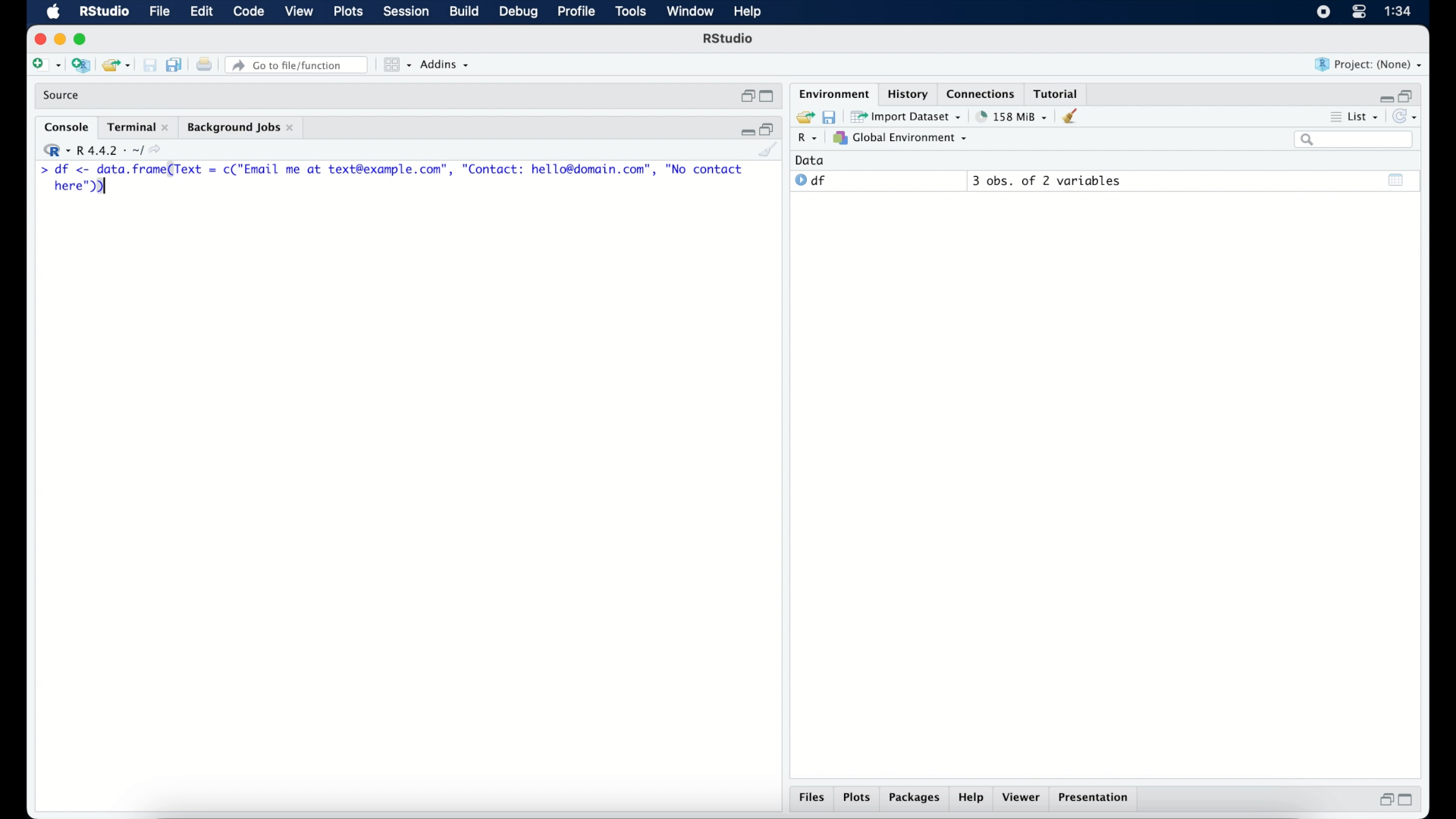  Describe the element at coordinates (1013, 116) in the screenshot. I see `158 MB` at that location.